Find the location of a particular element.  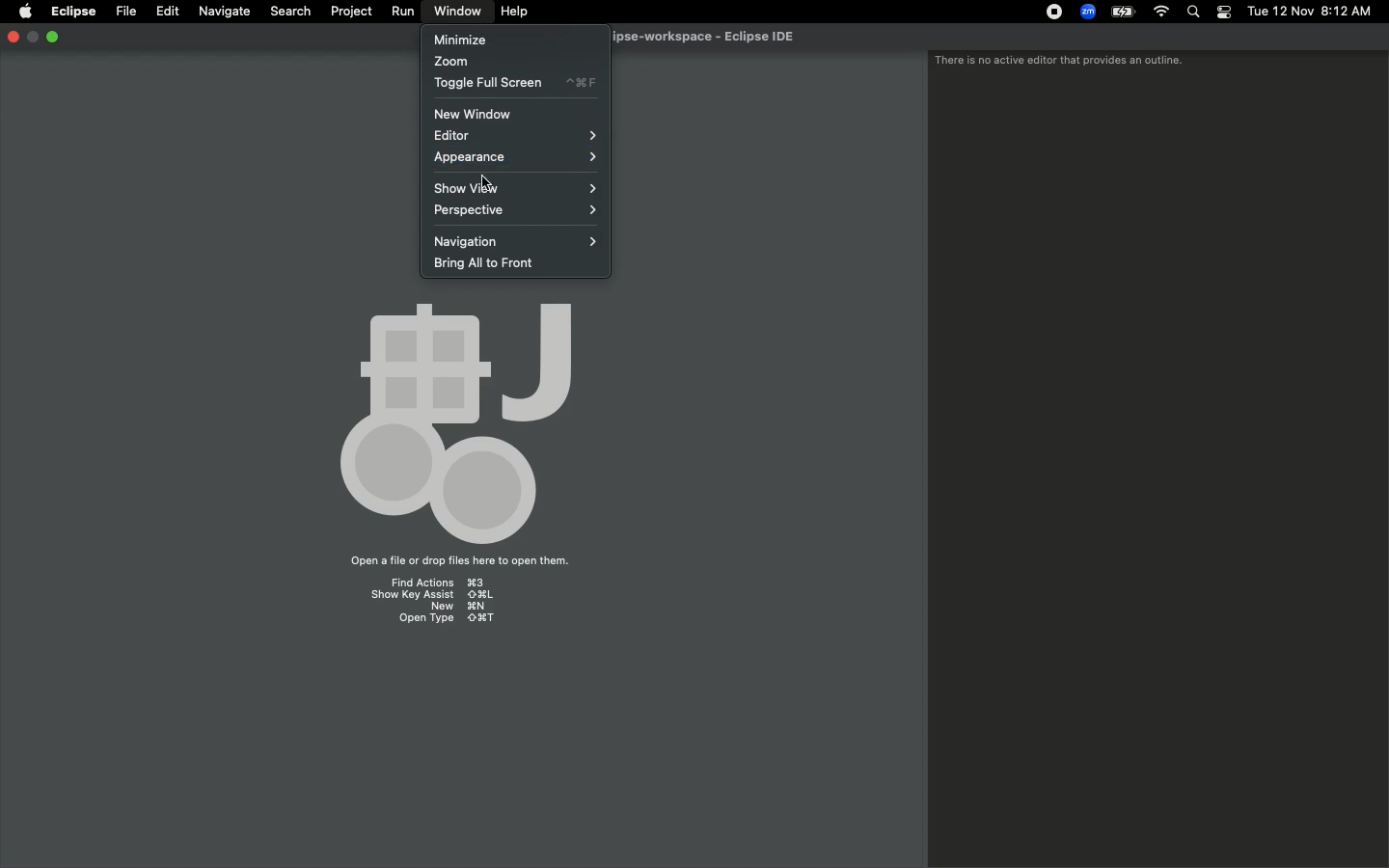

Notification is located at coordinates (1223, 13).